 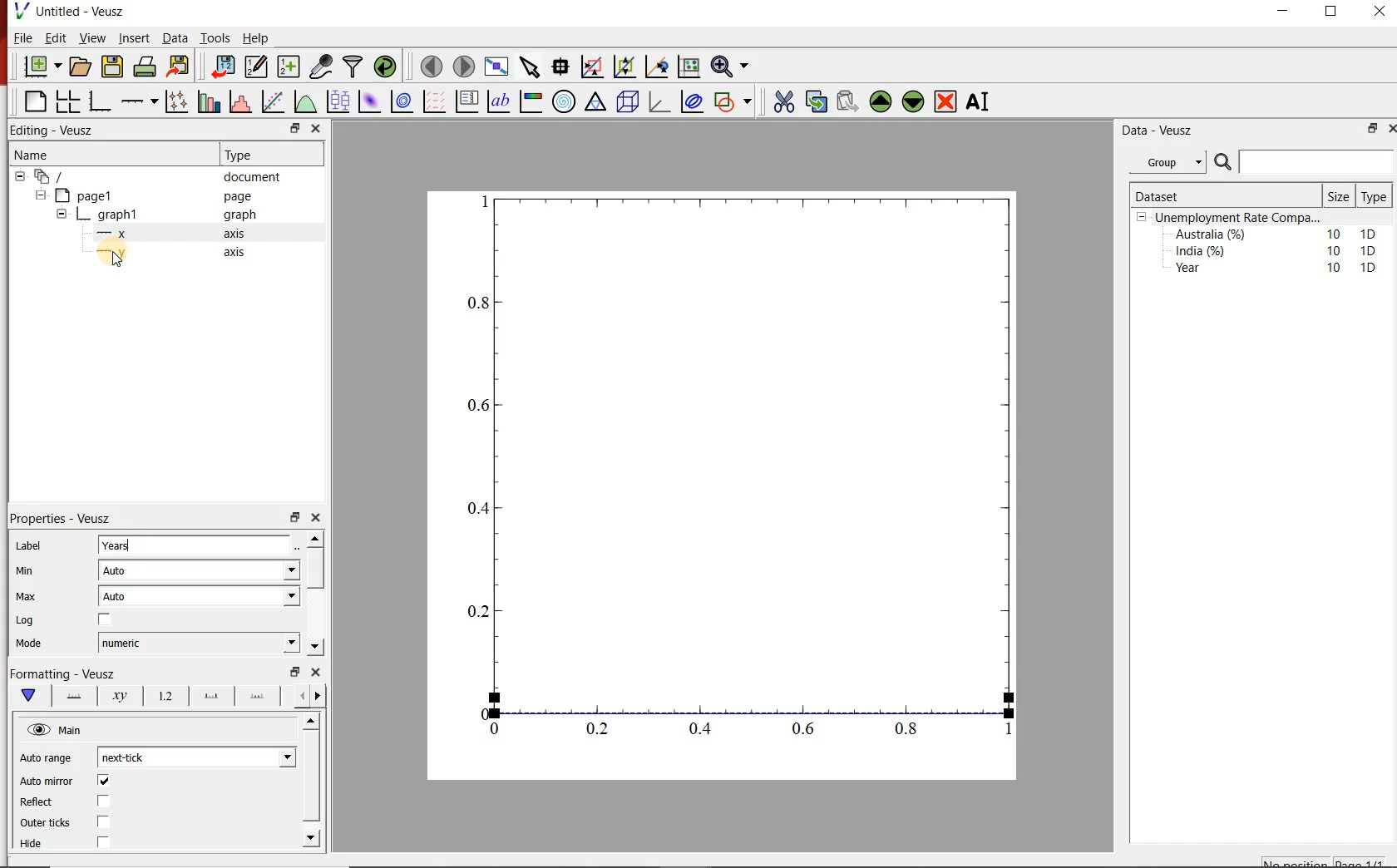 What do you see at coordinates (41, 645) in the screenshot?
I see `Mode` at bounding box center [41, 645].